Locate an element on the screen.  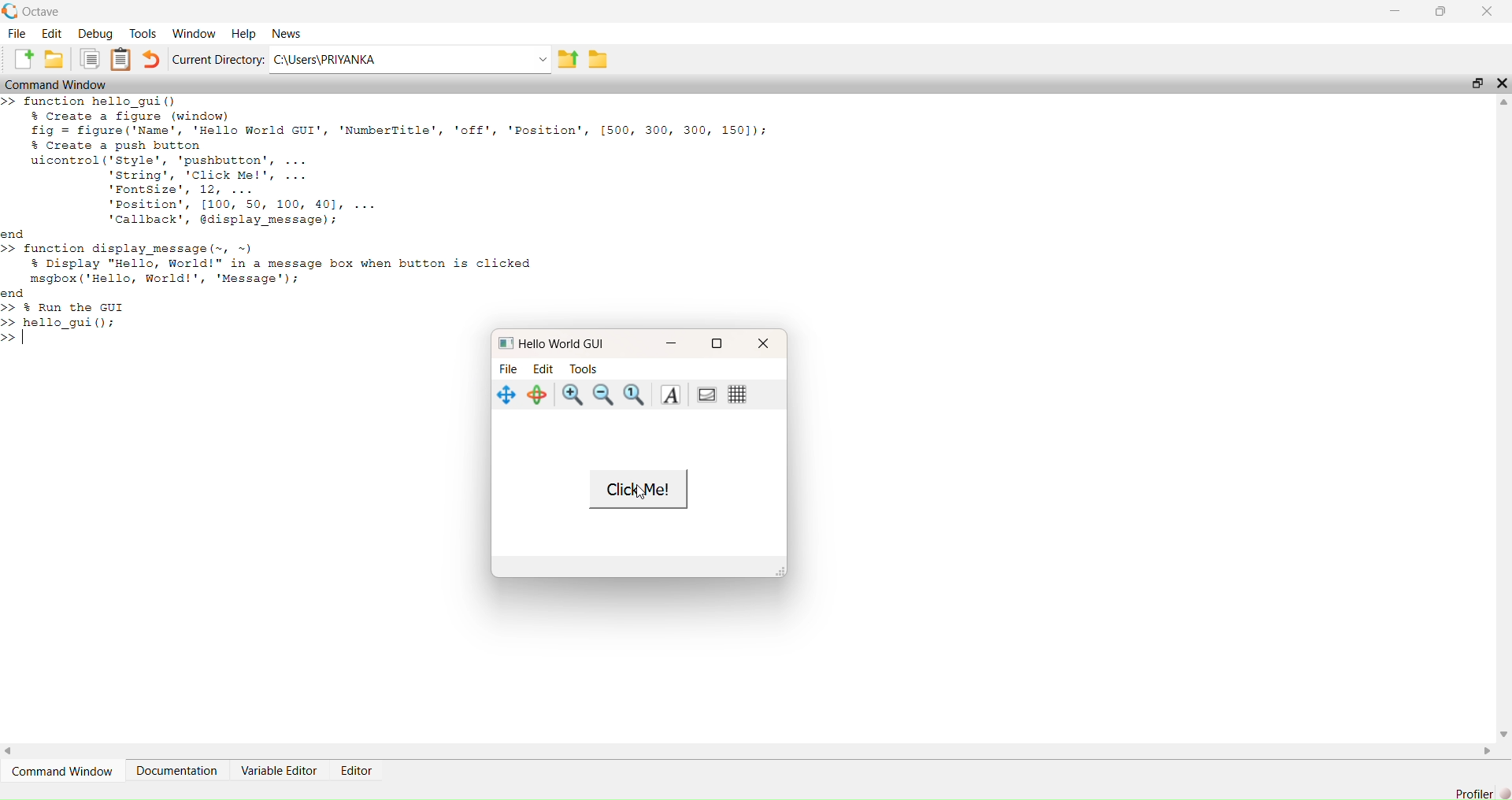
add is located at coordinates (17, 57).